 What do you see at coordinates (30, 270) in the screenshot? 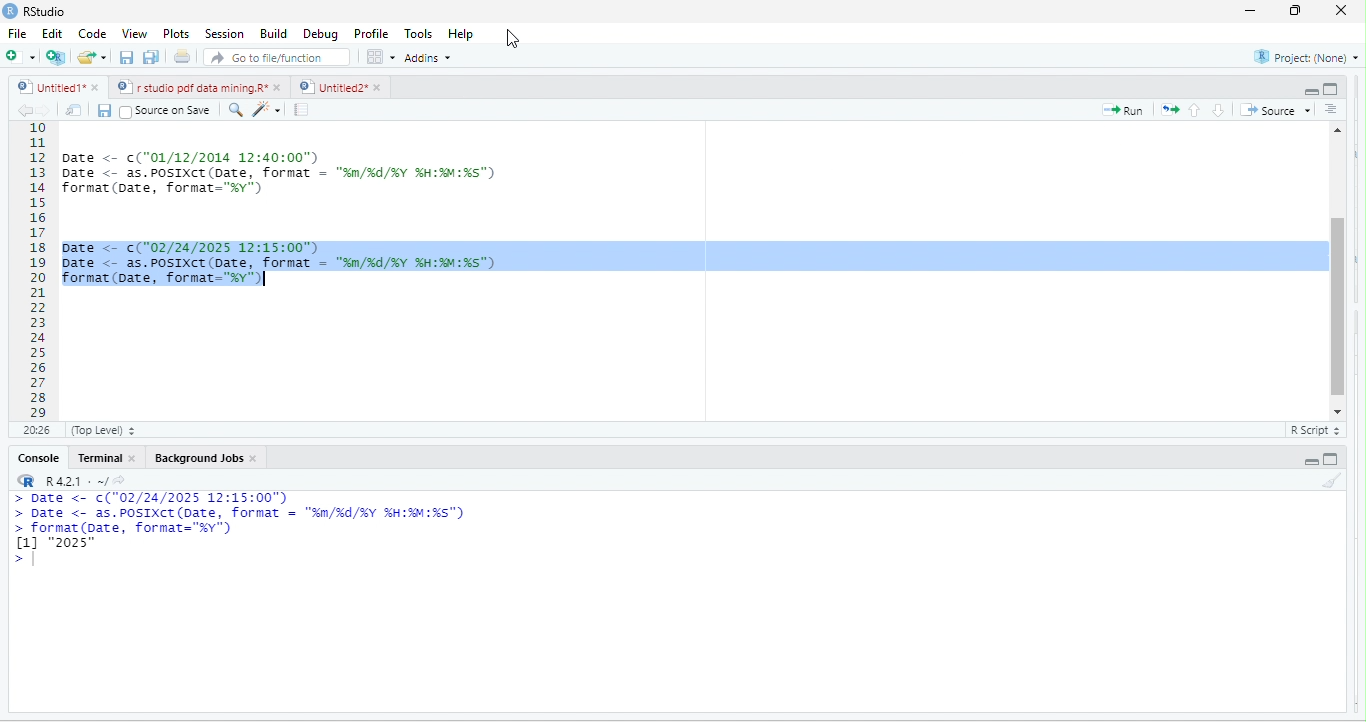
I see `10
11
12
13
14
15
16
17
18
19
20
21
22
23
24
25
26
27
28
29` at bounding box center [30, 270].